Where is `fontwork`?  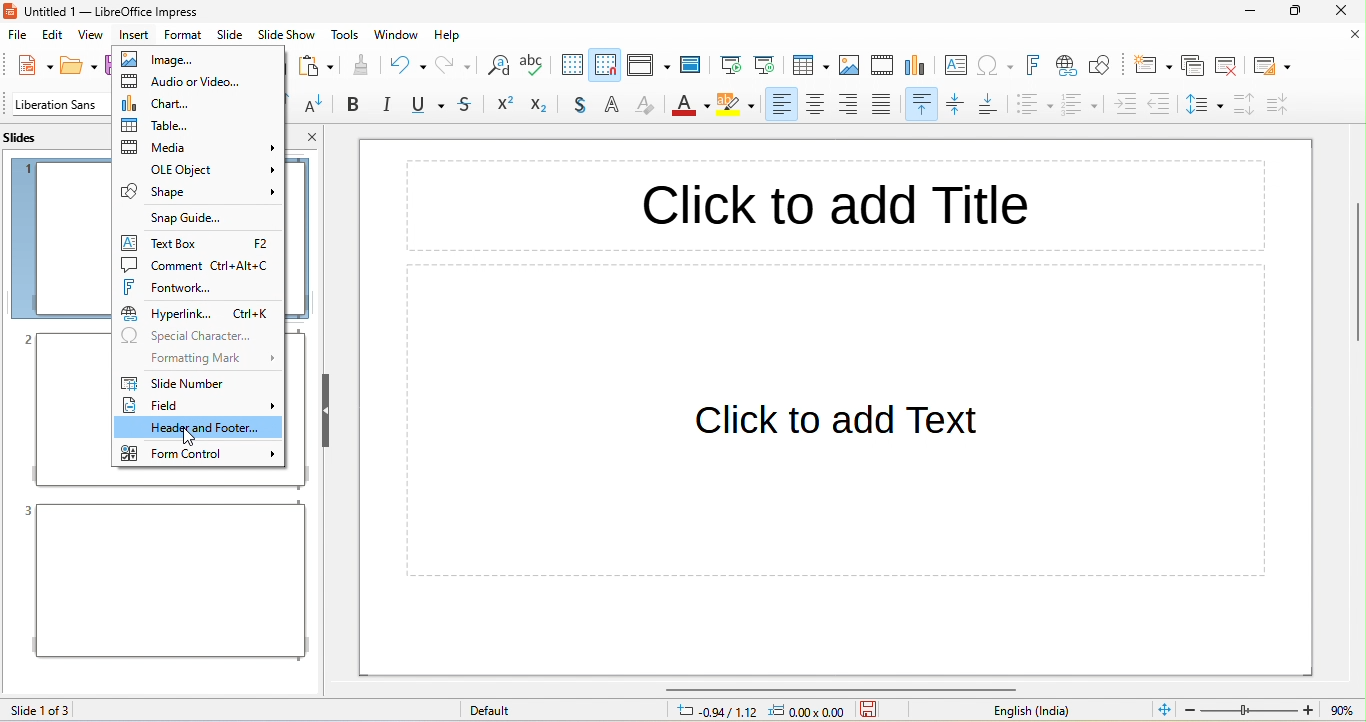
fontwork is located at coordinates (170, 287).